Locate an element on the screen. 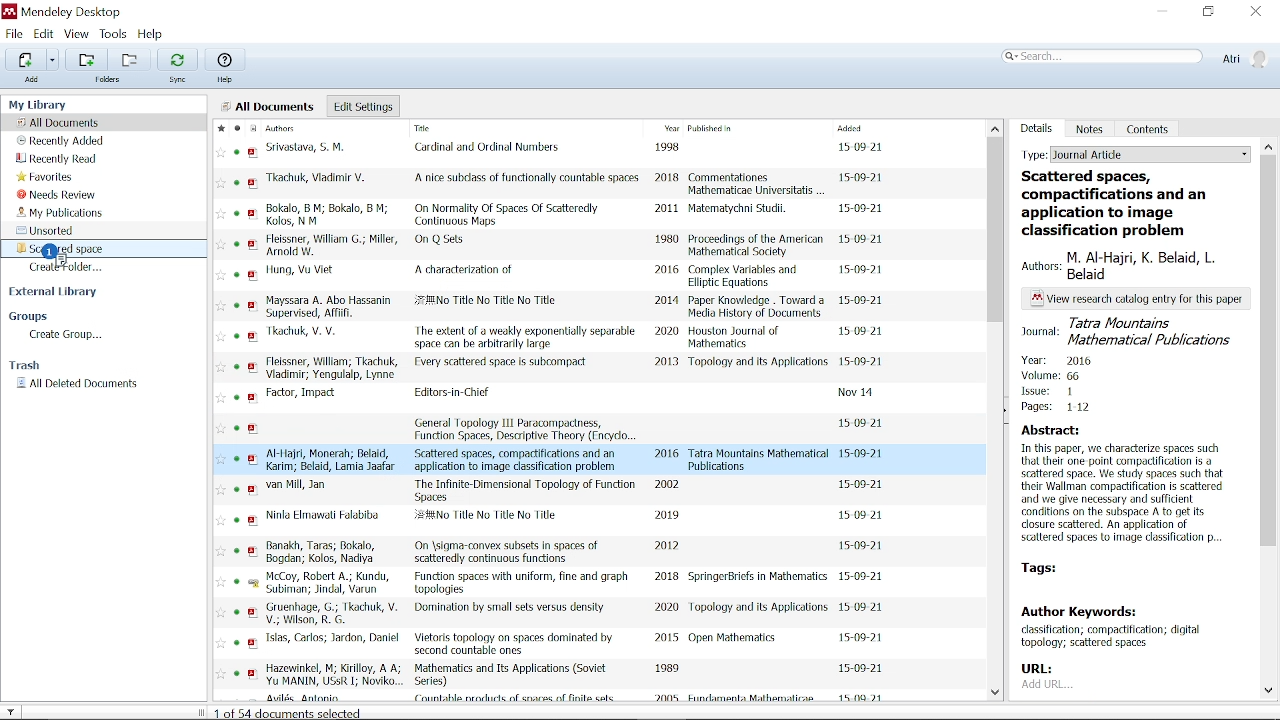 Image resolution: width=1280 pixels, height=720 pixels.  is located at coordinates (1038, 130).